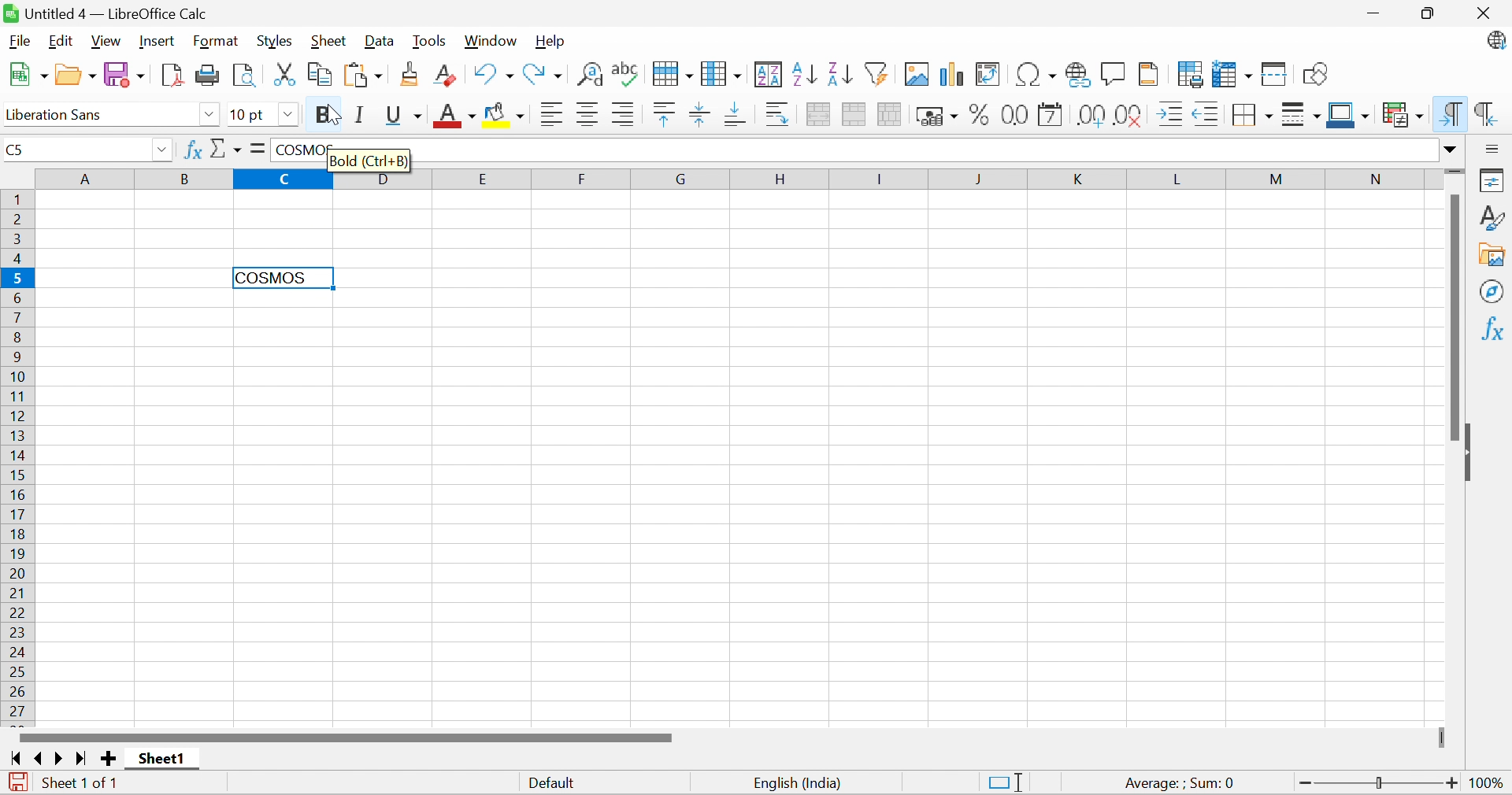 This screenshot has width=1512, height=795. Describe the element at coordinates (1013, 114) in the screenshot. I see `Format as Number` at that location.